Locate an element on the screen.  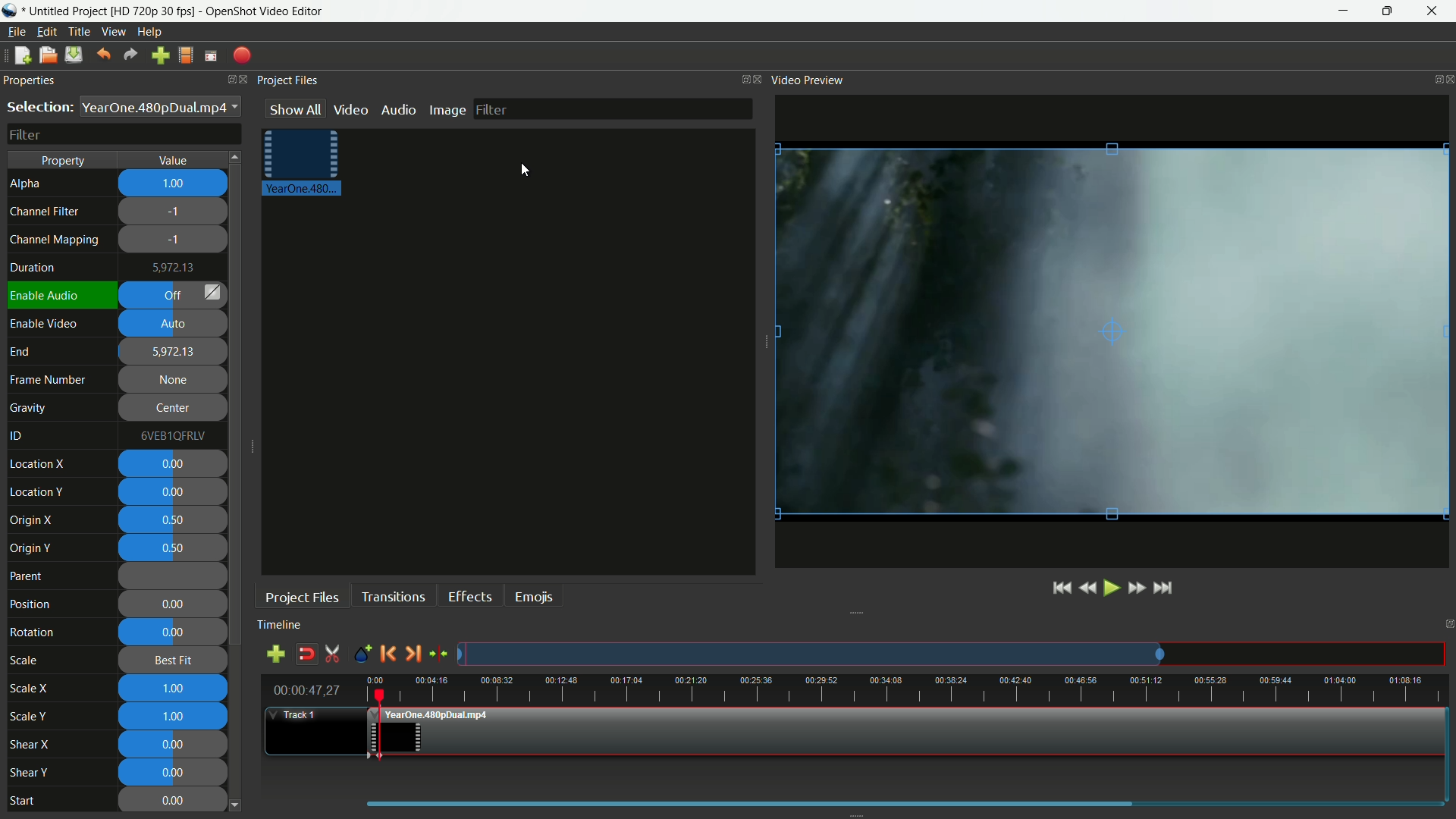
0.00 is located at coordinates (174, 800).